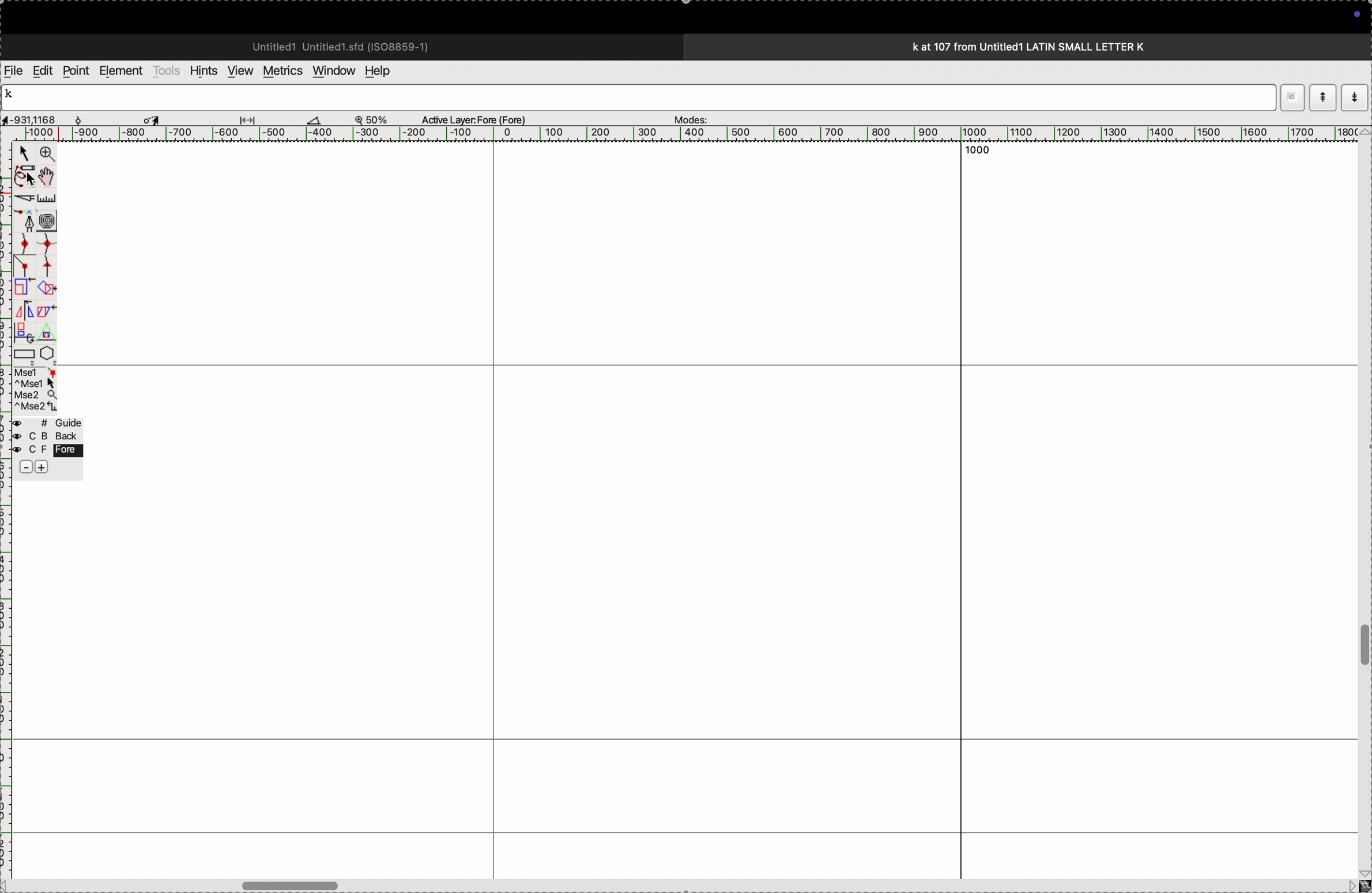 The height and width of the screenshot is (893, 1372). I want to click on window, so click(331, 70).